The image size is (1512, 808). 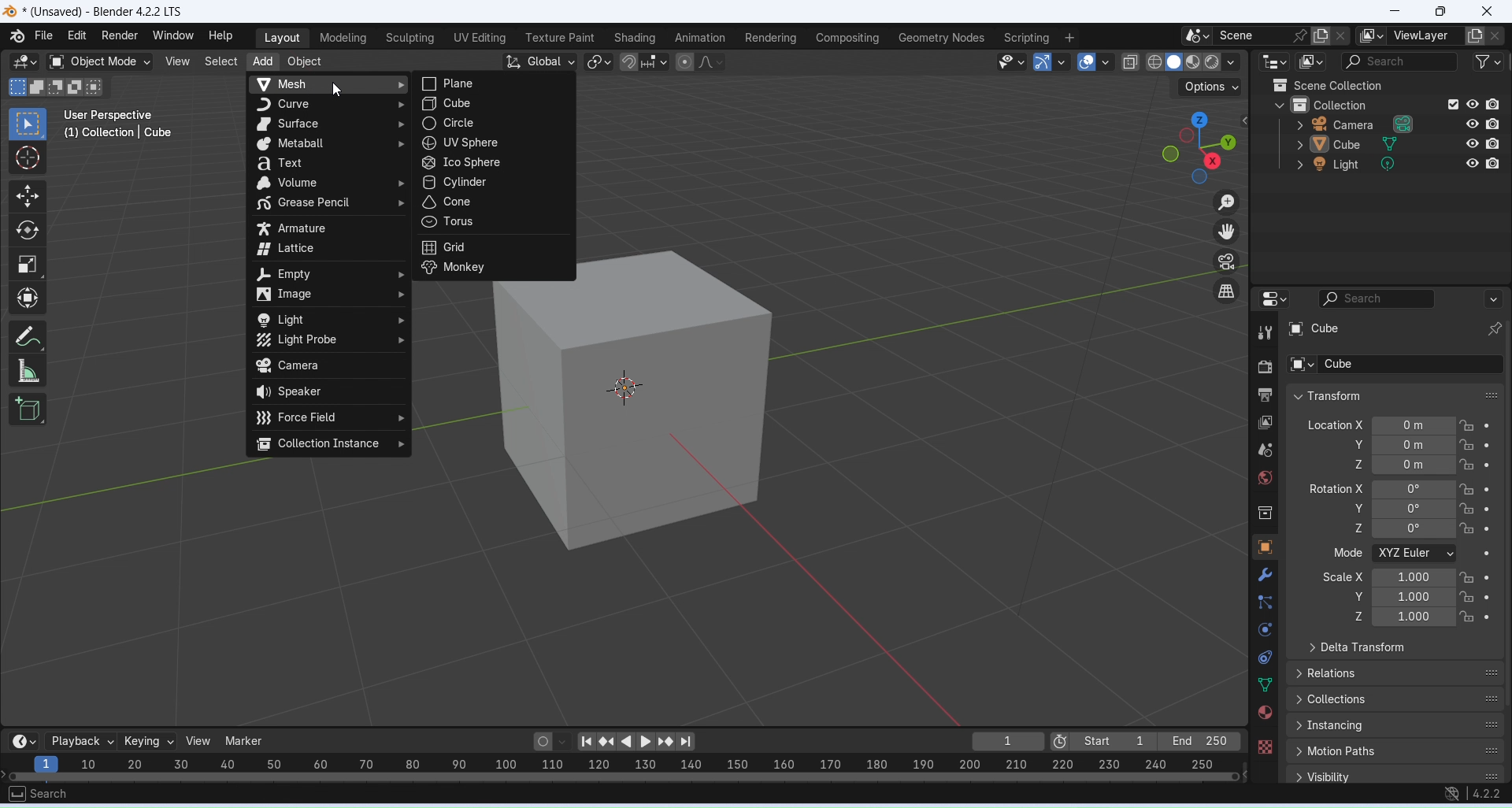 I want to click on Light layer, so click(x=1395, y=164).